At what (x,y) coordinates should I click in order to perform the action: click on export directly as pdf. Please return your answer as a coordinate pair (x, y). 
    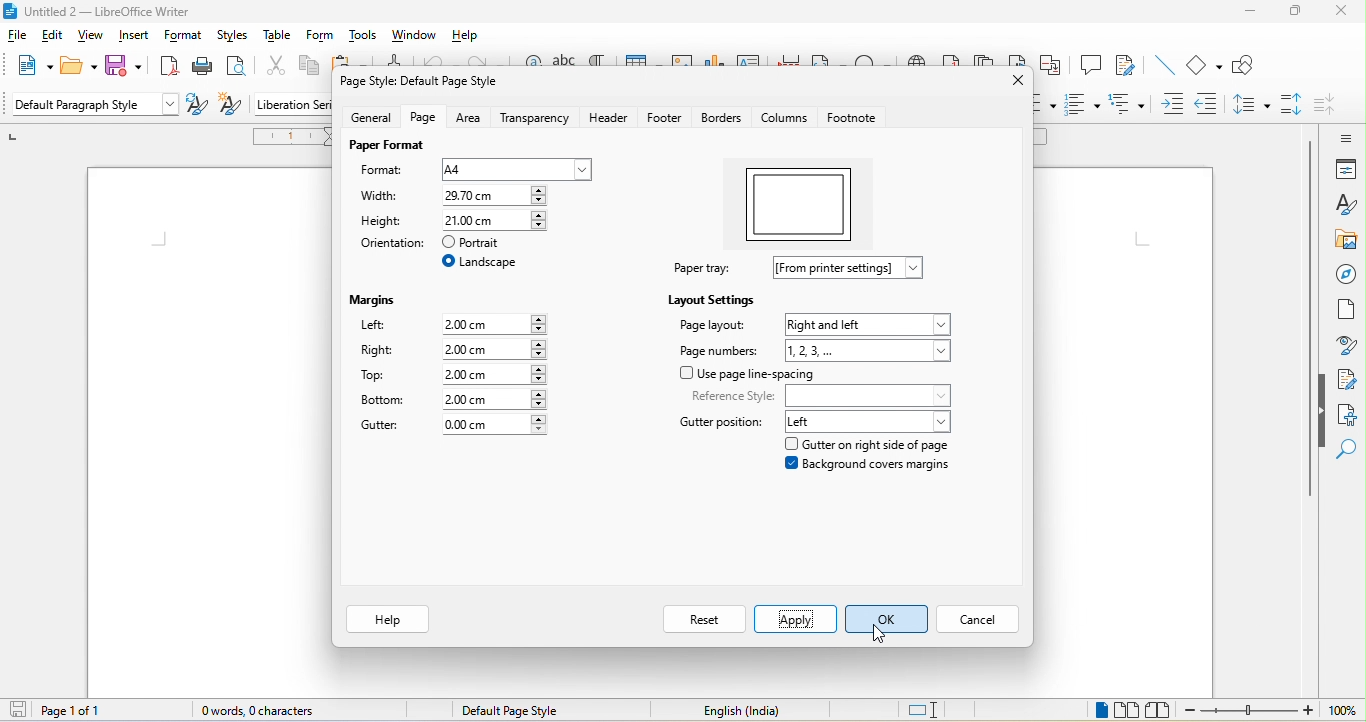
    Looking at the image, I should click on (168, 67).